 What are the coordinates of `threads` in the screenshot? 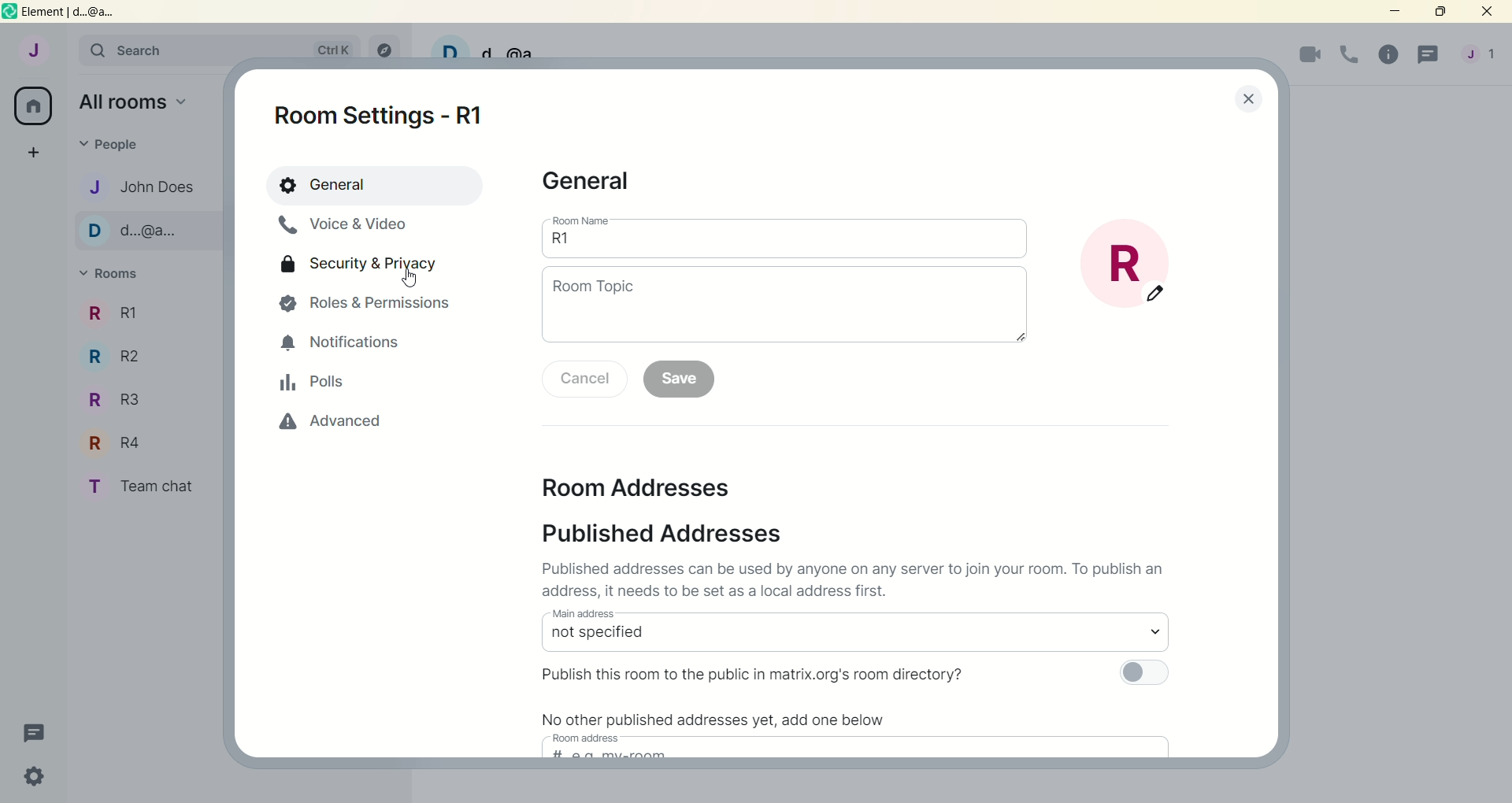 It's located at (29, 731).